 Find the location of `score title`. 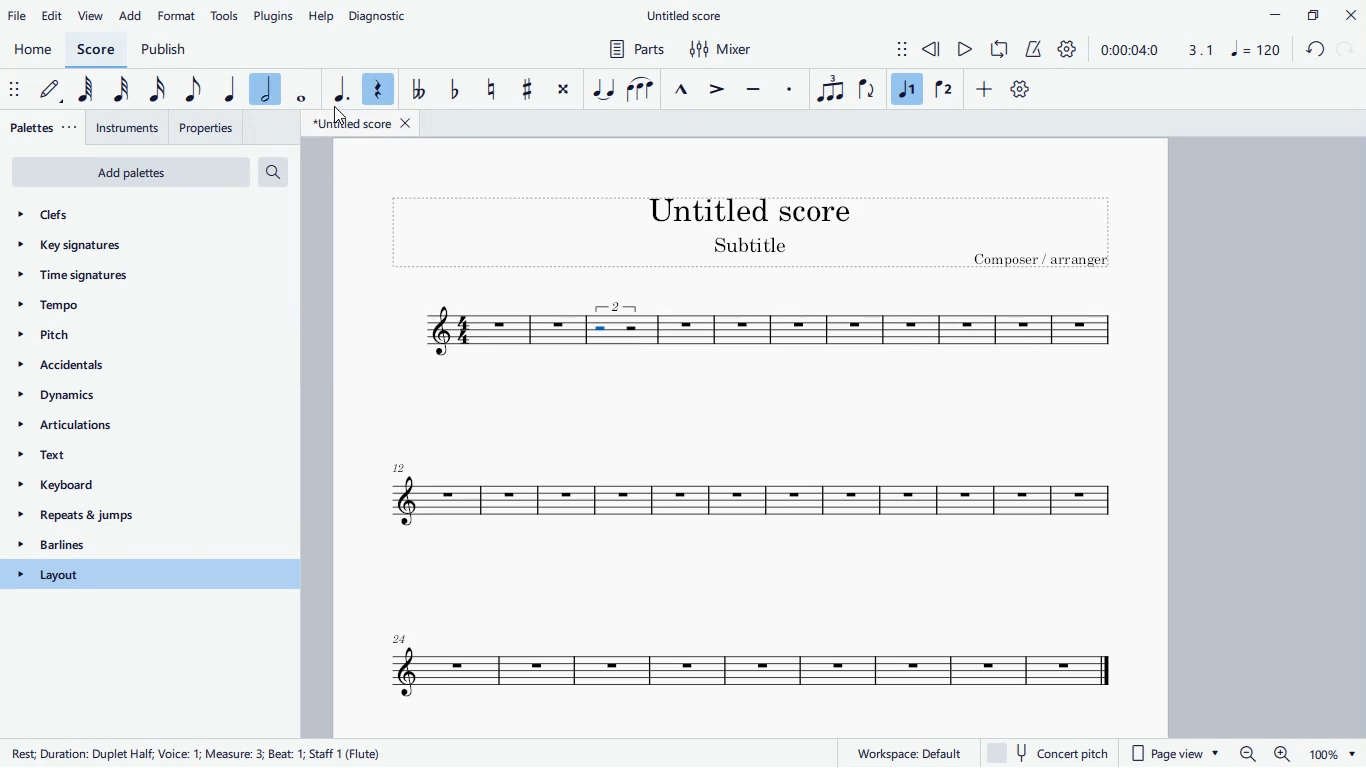

score title is located at coordinates (753, 209).